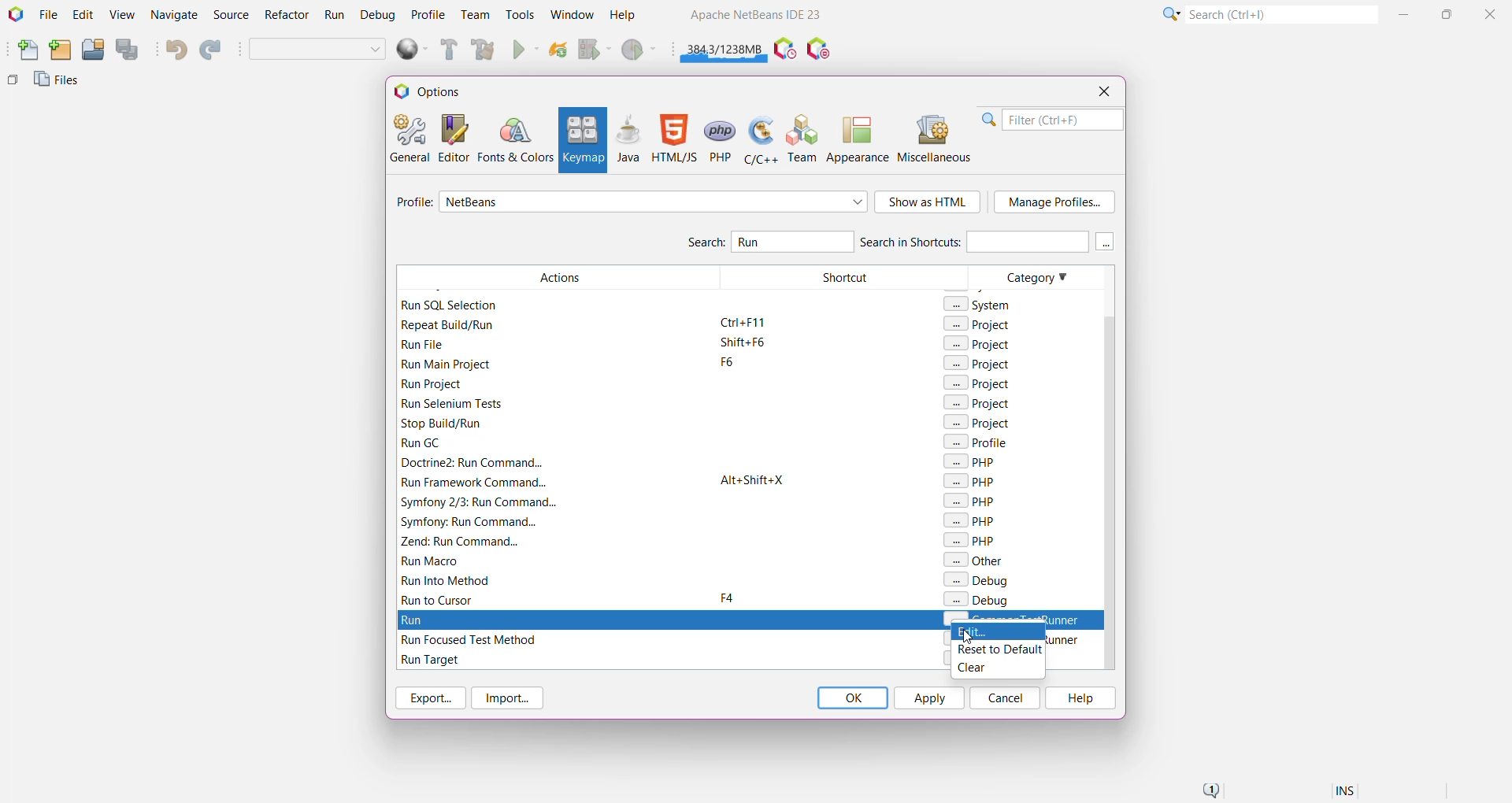 This screenshot has width=1512, height=803. What do you see at coordinates (852, 698) in the screenshot?
I see `OK` at bounding box center [852, 698].